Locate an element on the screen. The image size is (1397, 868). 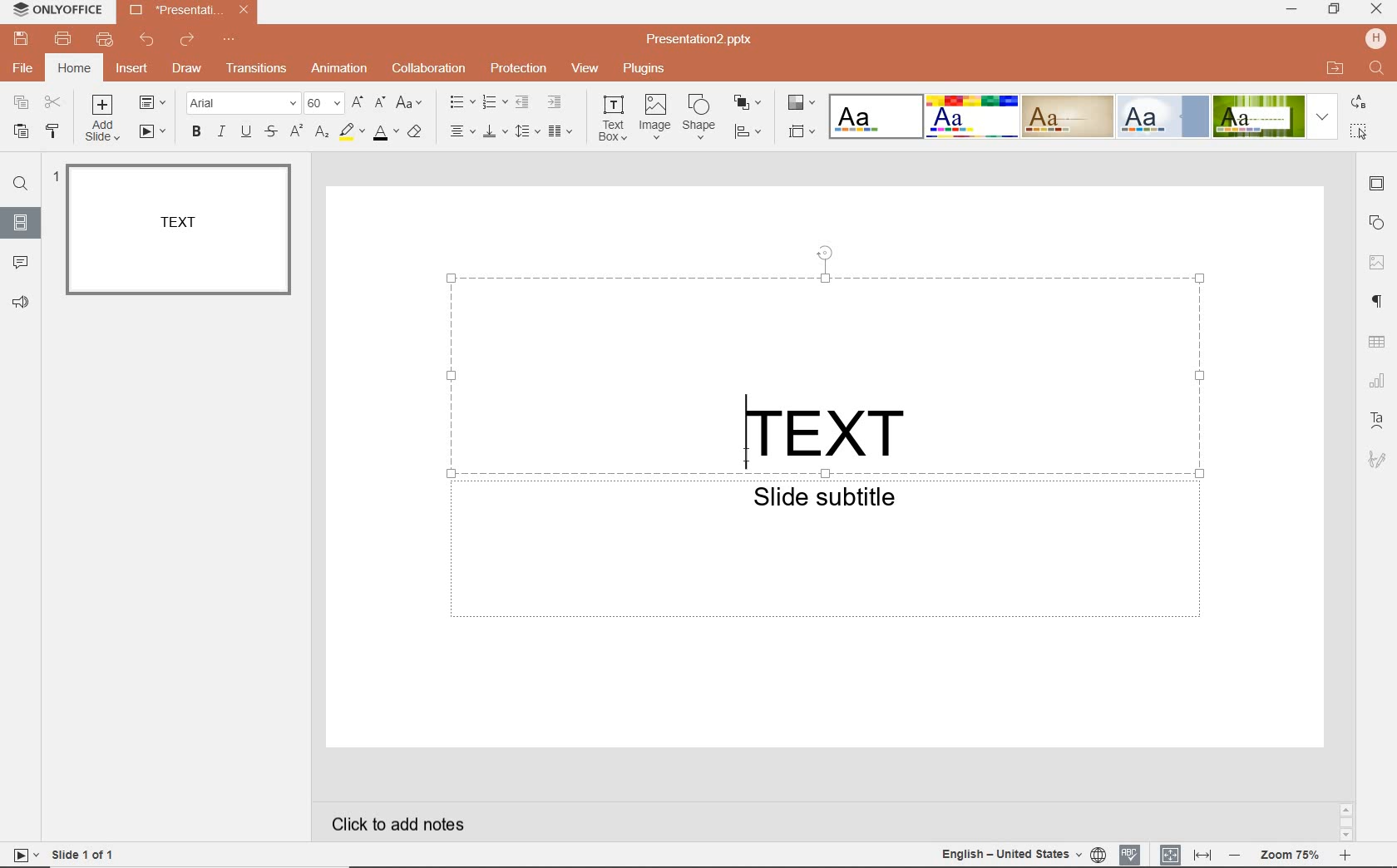
START SLIDESHOW is located at coordinates (152, 133).